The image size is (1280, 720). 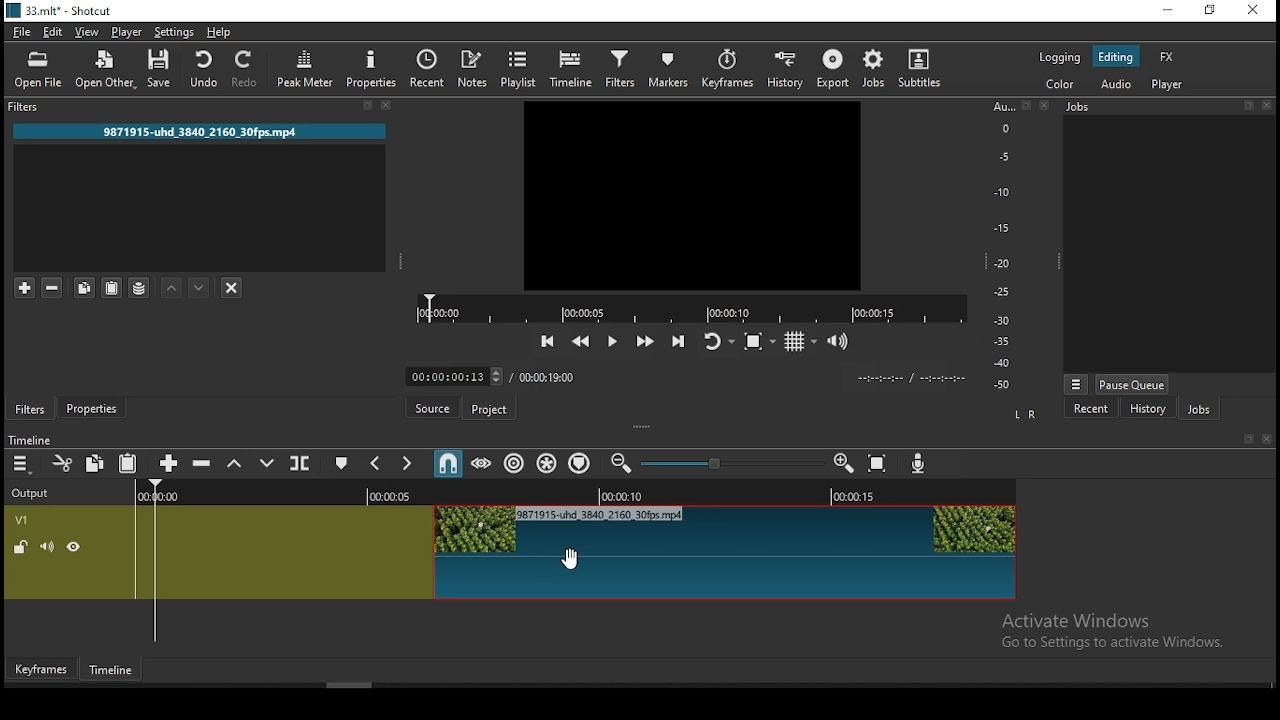 What do you see at coordinates (84, 284) in the screenshot?
I see `copy selected filter` at bounding box center [84, 284].